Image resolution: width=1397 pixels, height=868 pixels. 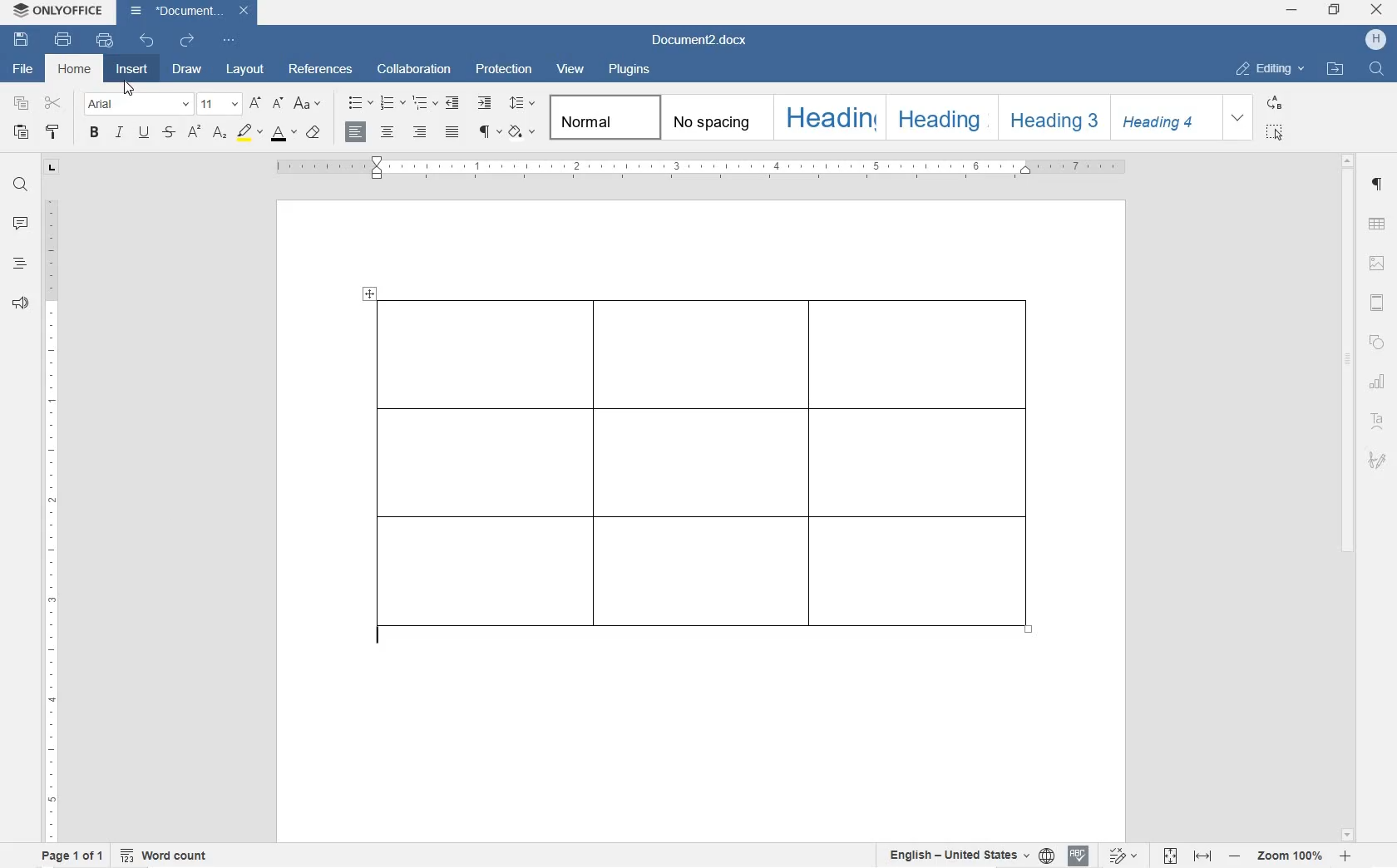 I want to click on ruler, so click(x=708, y=169).